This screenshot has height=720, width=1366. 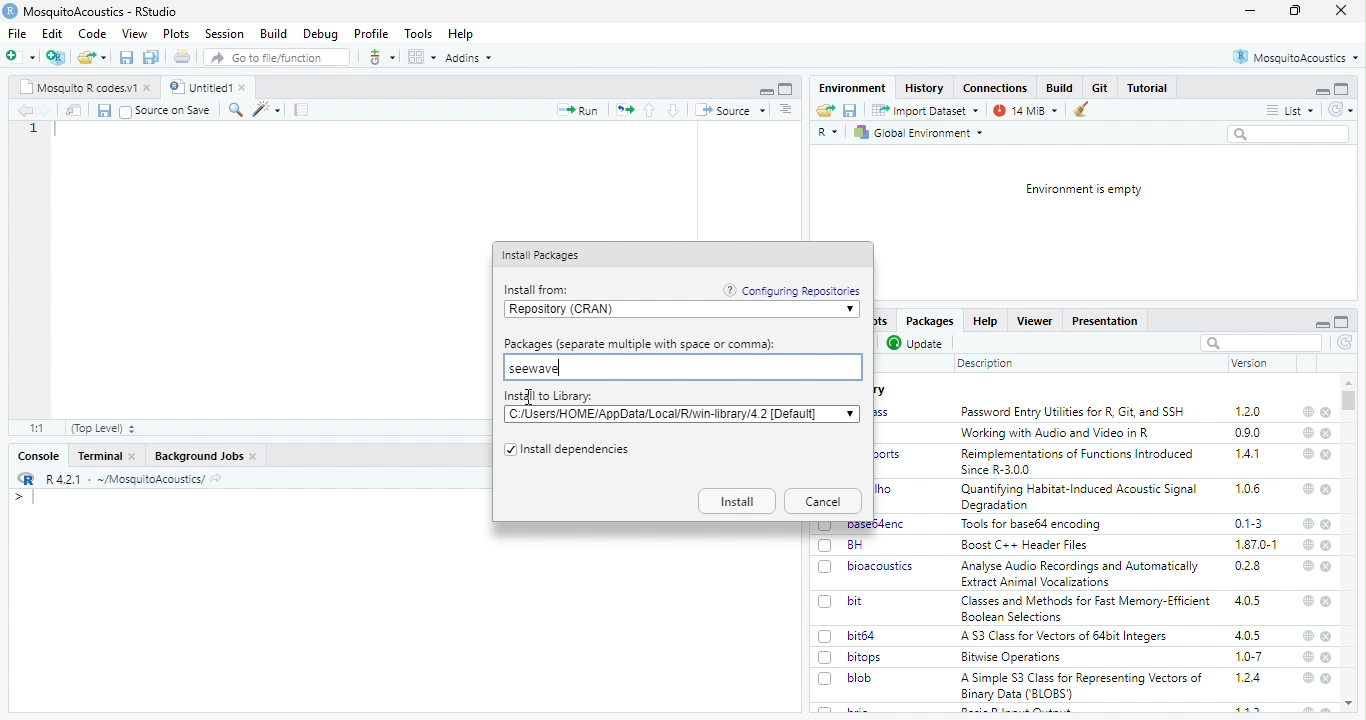 I want to click on MosquitoAcoustics - RStudio, so click(x=101, y=12).